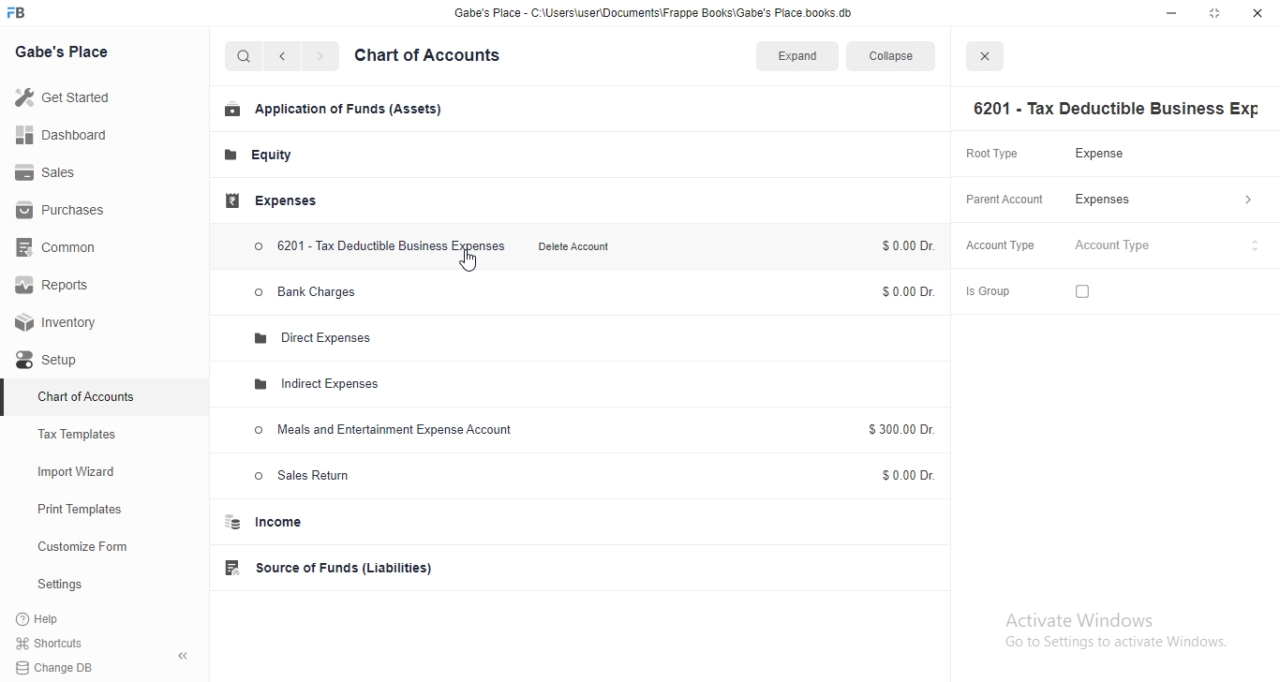 The height and width of the screenshot is (682, 1280). I want to click on $0.00Dr, so click(906, 246).